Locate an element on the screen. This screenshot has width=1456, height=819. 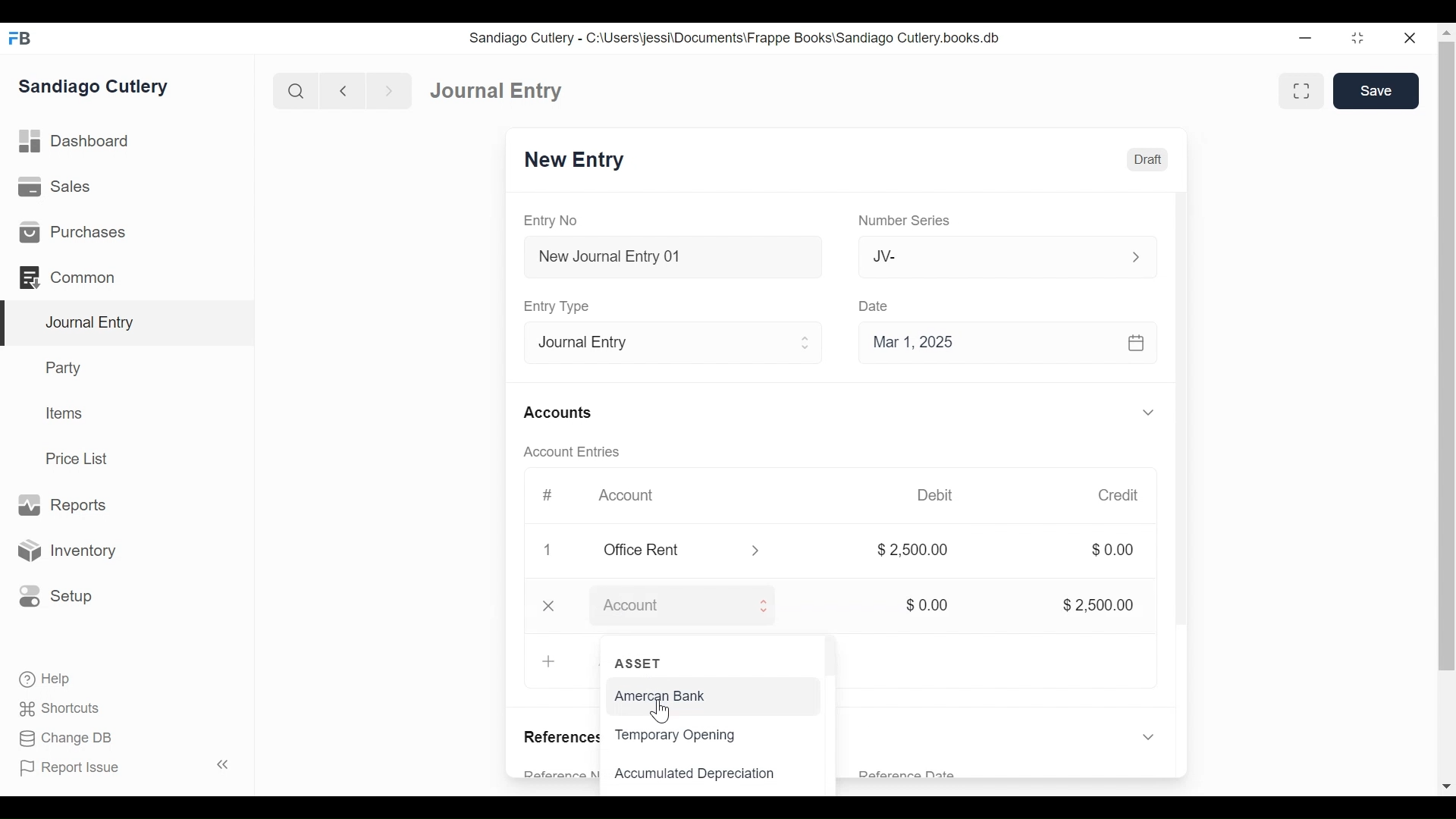
$2500.00 is located at coordinates (921, 549).